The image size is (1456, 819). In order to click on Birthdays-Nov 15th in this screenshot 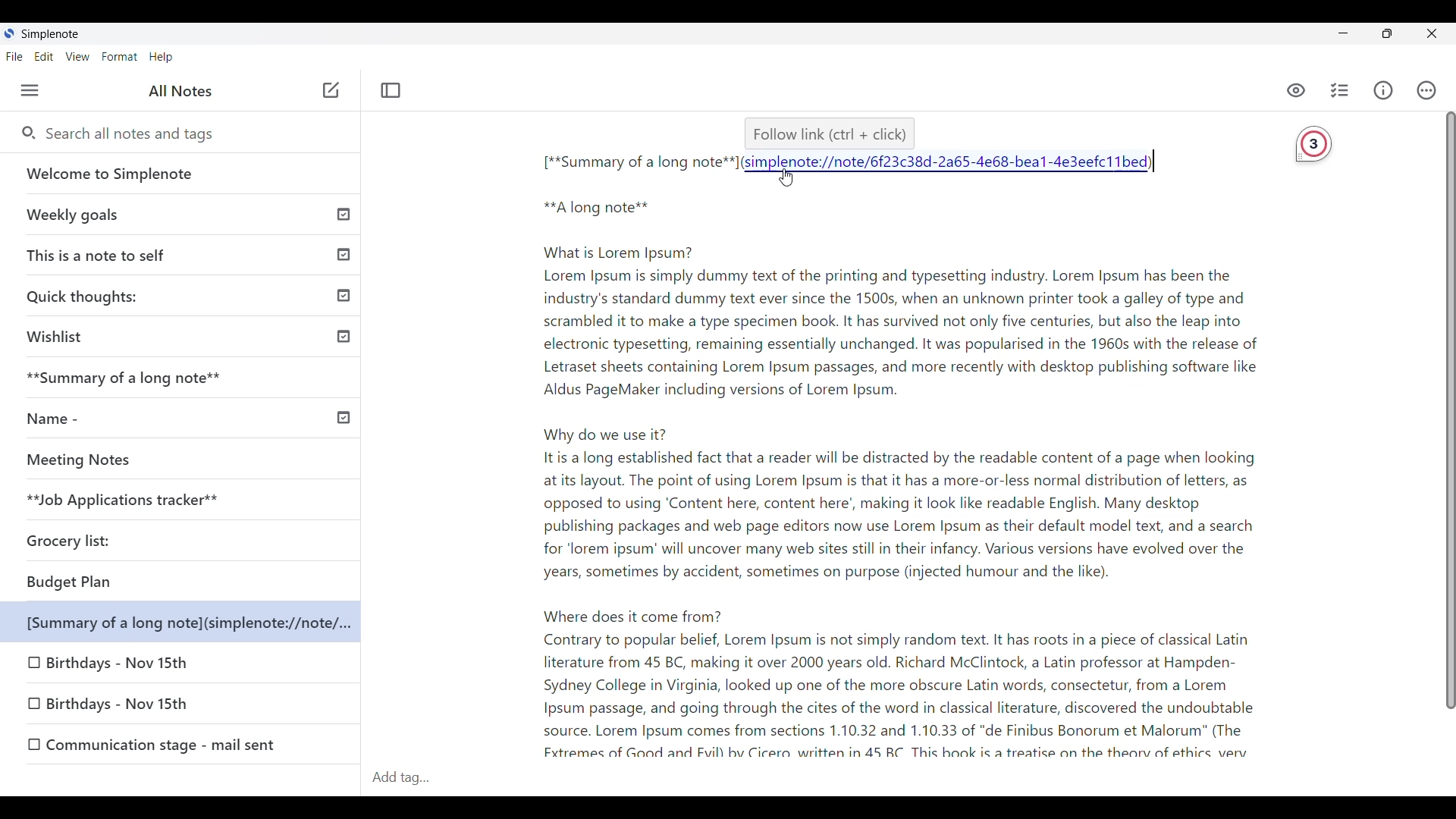, I will do `click(155, 708)`.